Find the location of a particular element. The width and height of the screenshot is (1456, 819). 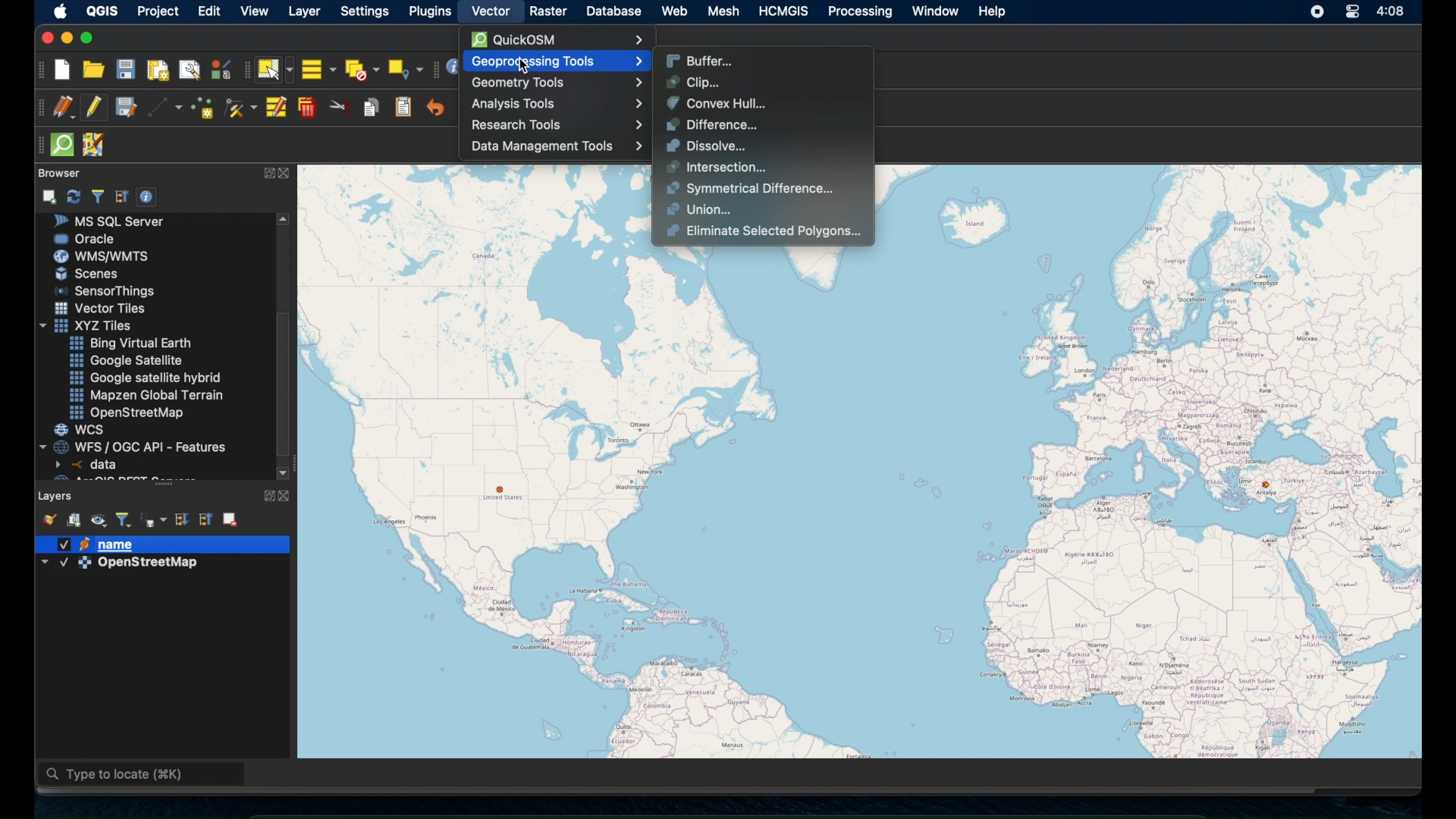

modify attributes is located at coordinates (275, 108).